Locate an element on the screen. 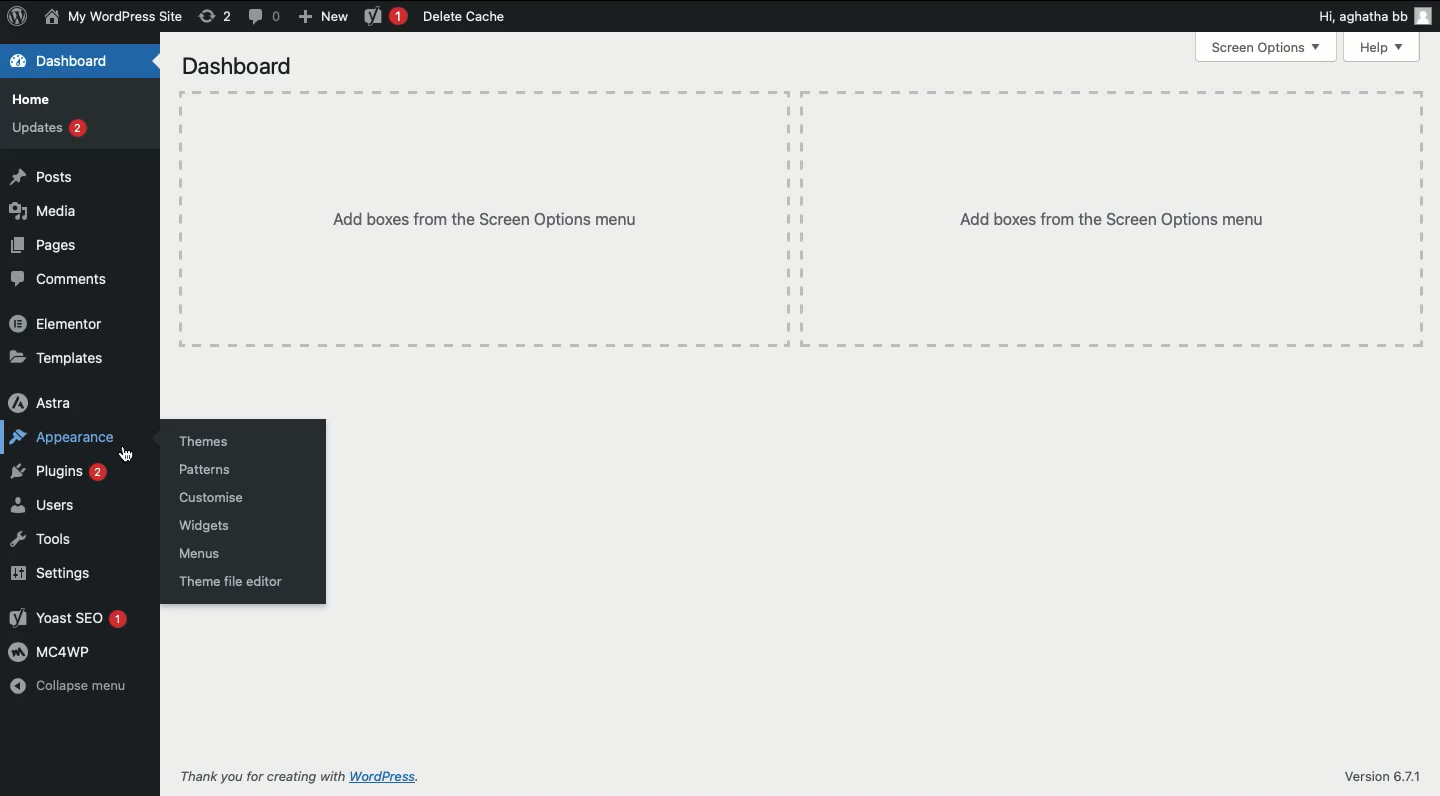  logo is located at coordinates (21, 21).